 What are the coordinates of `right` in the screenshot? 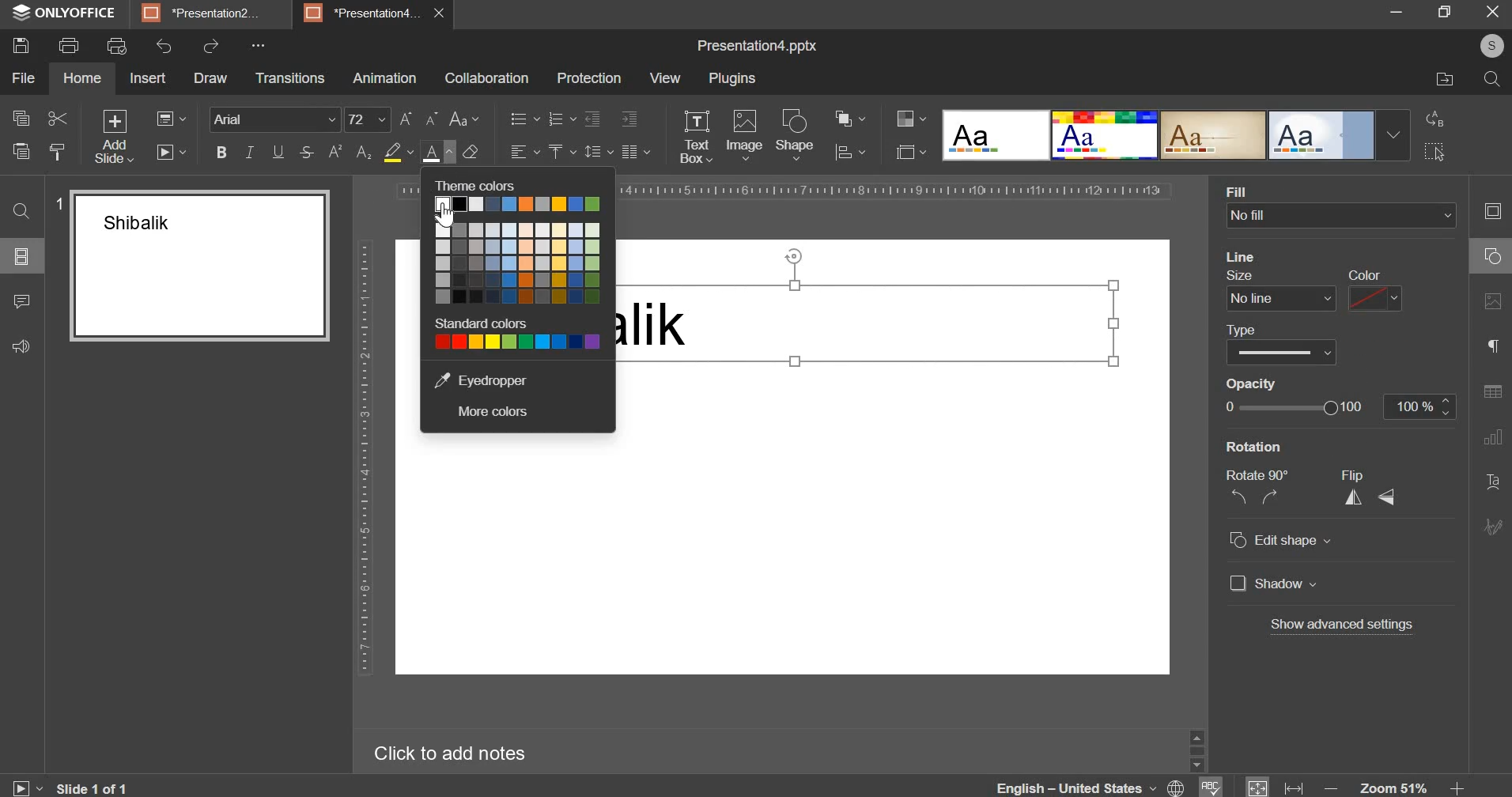 It's located at (1270, 499).